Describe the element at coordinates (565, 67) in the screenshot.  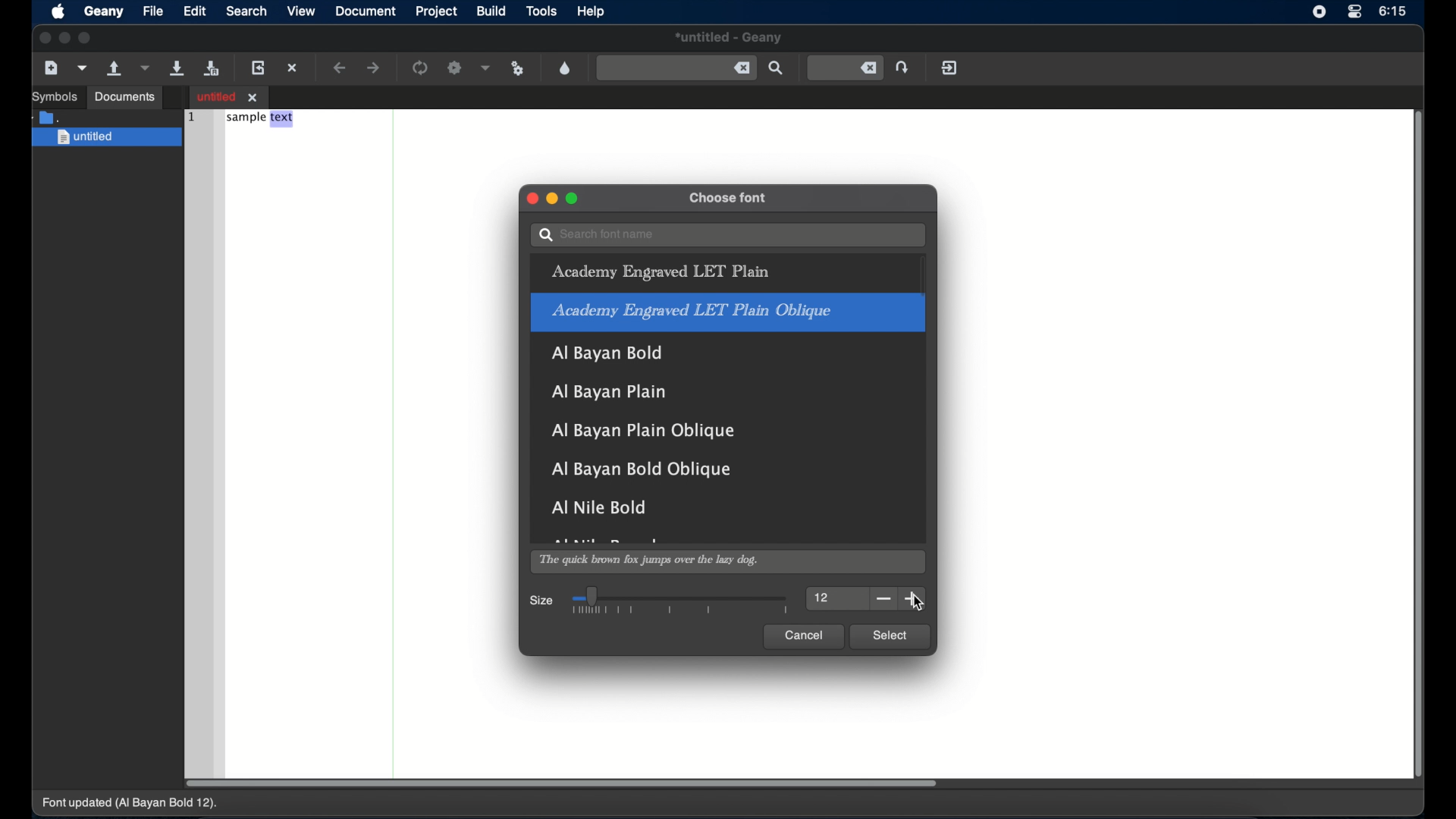
I see `open a color chooser dialogue` at that location.